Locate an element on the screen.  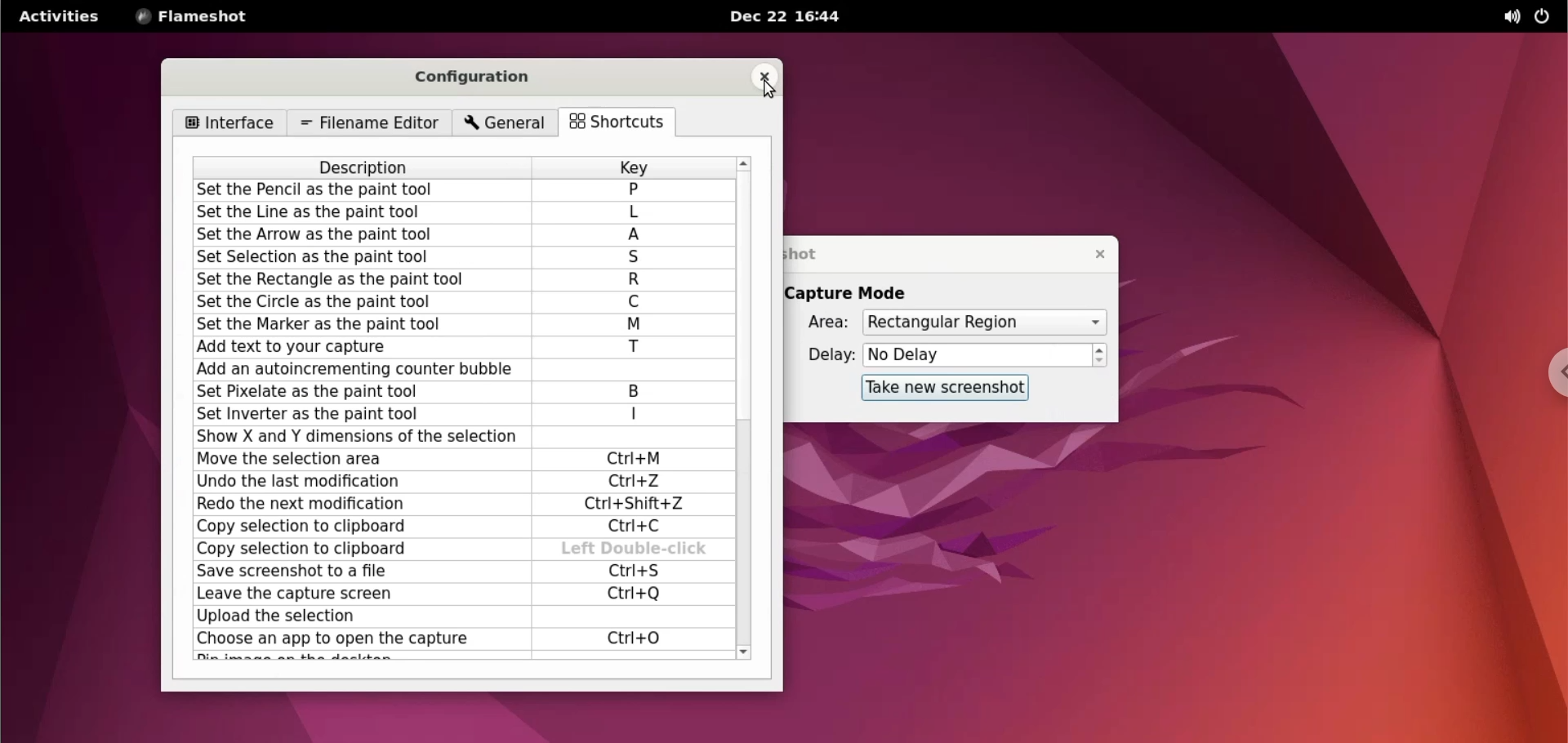
Ctrl + Q is located at coordinates (635, 593).